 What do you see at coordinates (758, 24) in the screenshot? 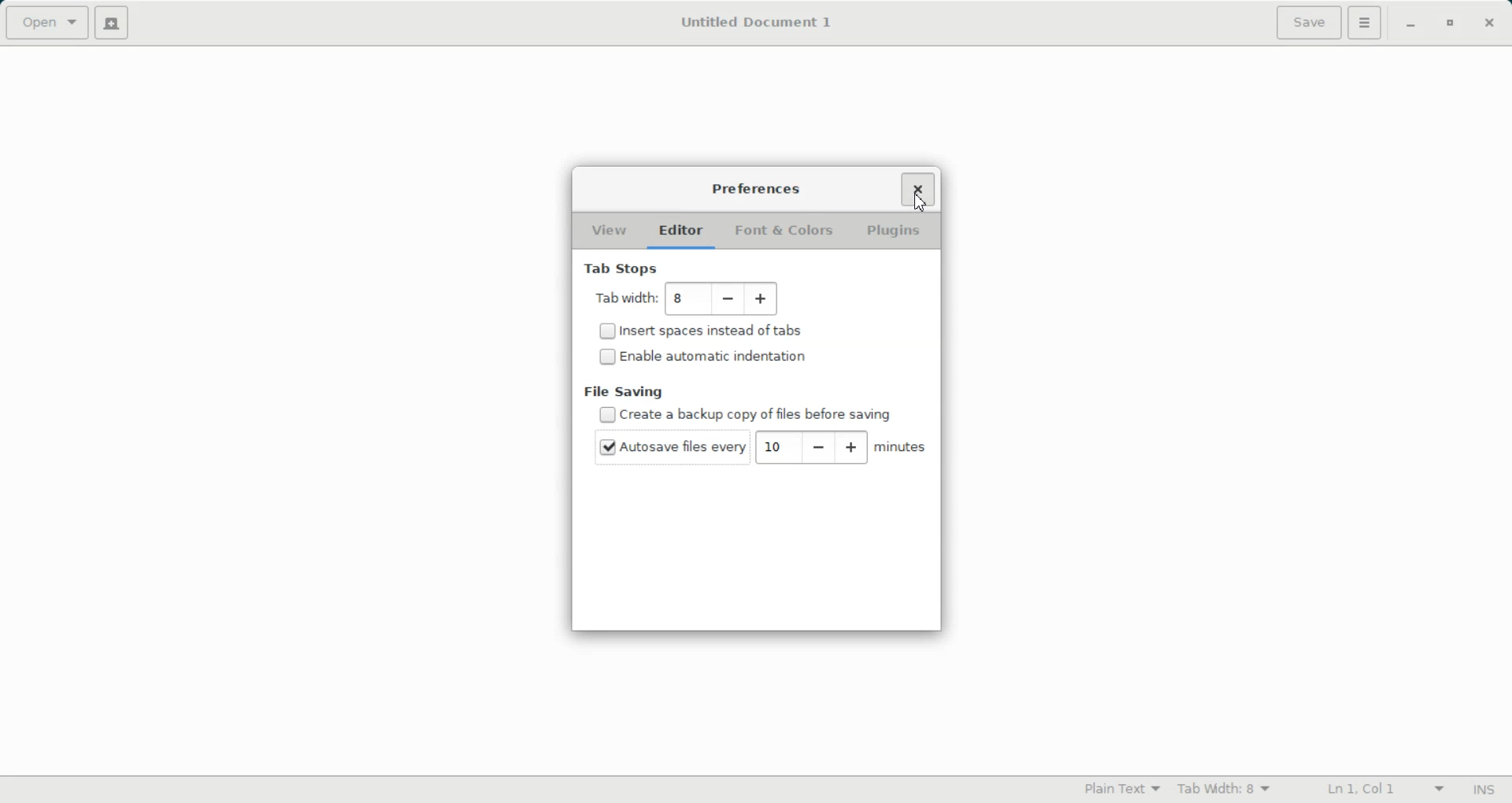
I see `Untitled Document 1` at bounding box center [758, 24].